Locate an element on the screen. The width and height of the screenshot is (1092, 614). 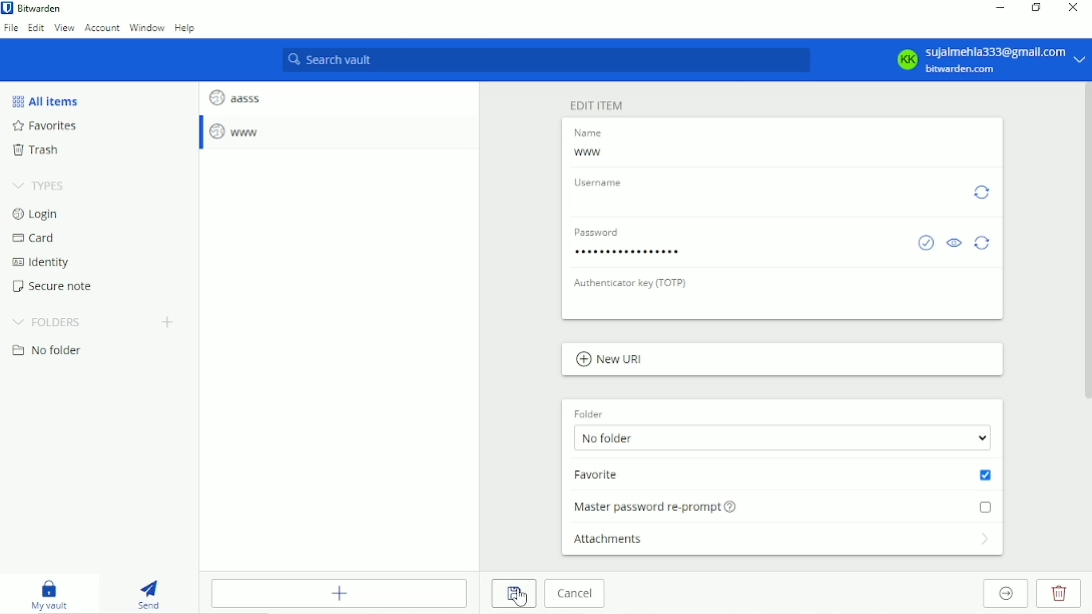
Edit is located at coordinates (37, 29).